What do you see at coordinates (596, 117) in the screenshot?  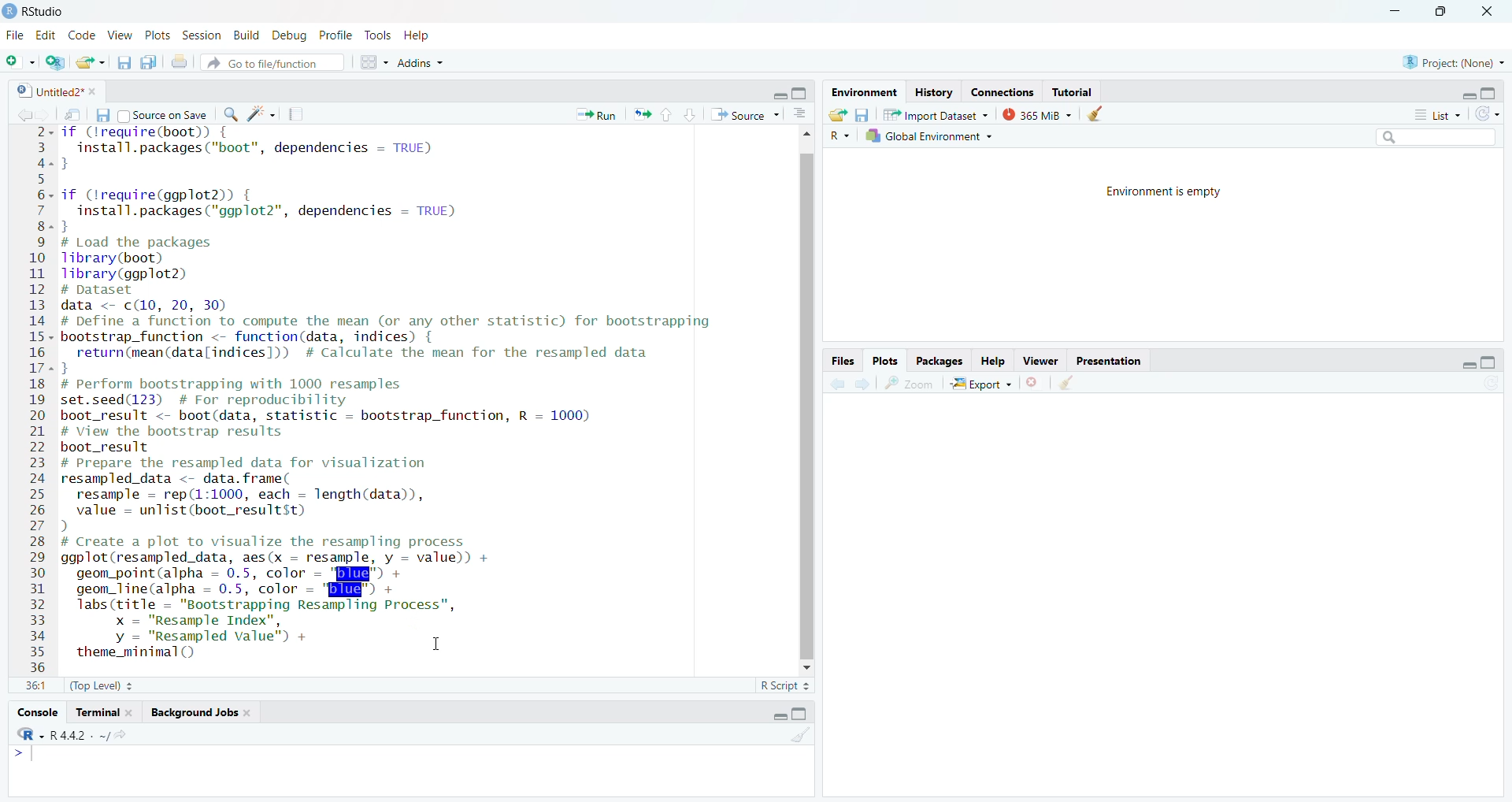 I see ` Run` at bounding box center [596, 117].